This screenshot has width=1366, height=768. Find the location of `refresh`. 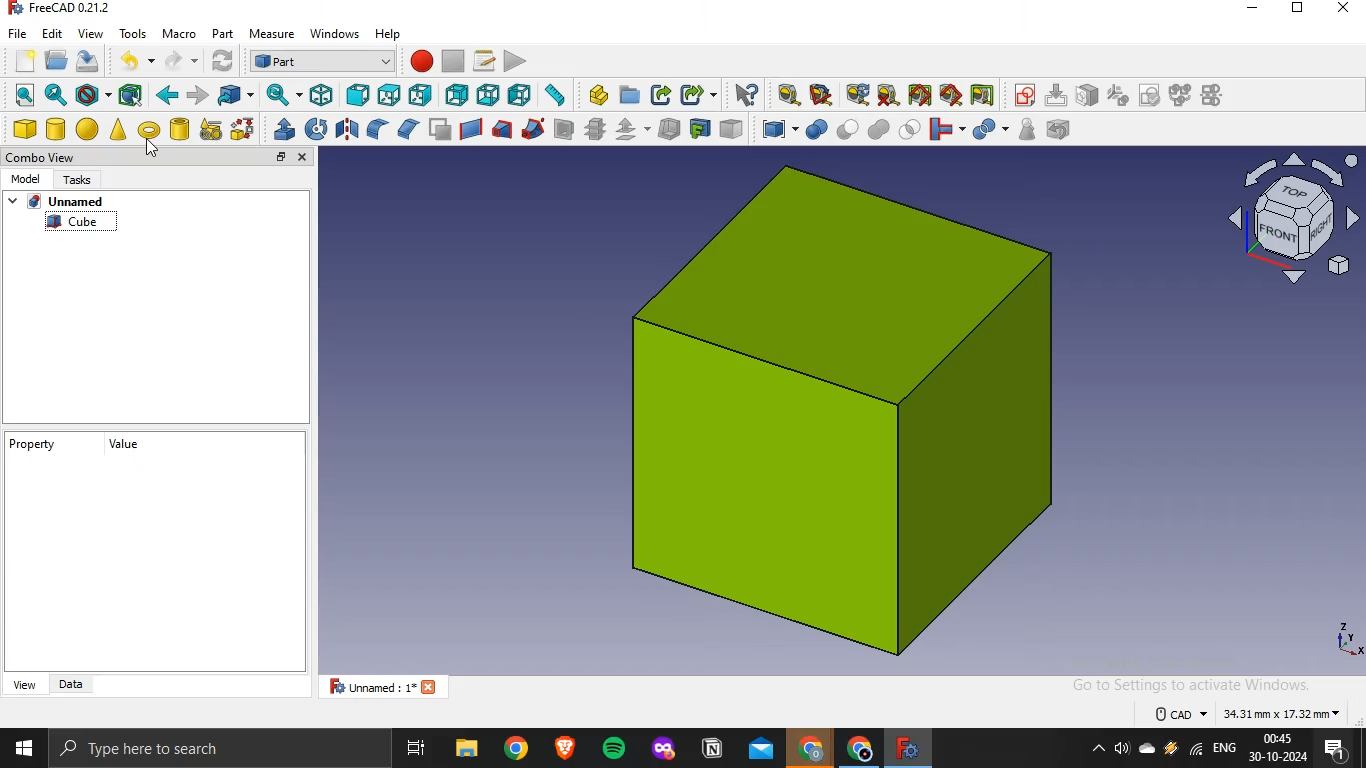

refresh is located at coordinates (857, 95).